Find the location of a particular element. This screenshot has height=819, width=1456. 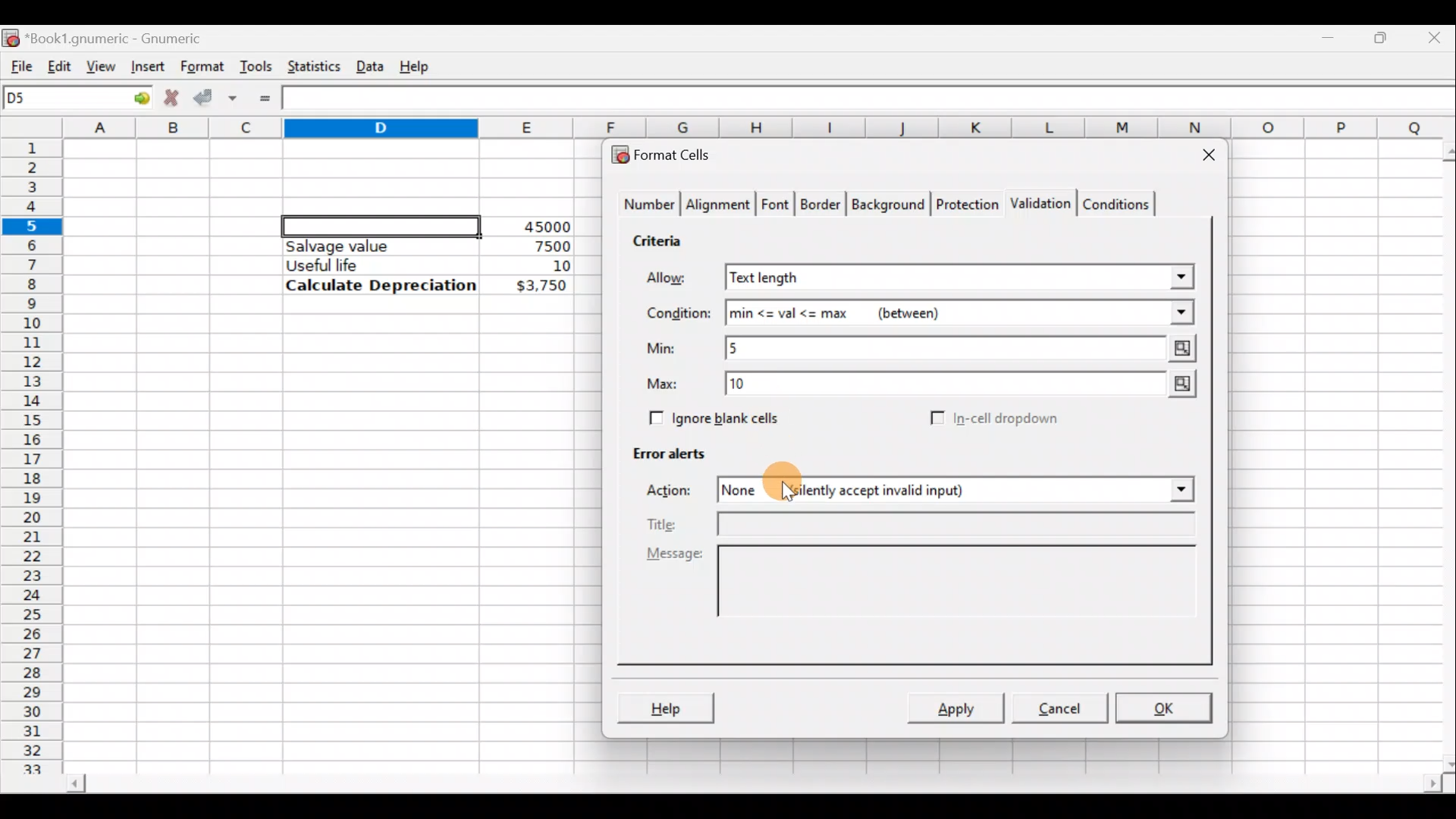

Help is located at coordinates (417, 65).